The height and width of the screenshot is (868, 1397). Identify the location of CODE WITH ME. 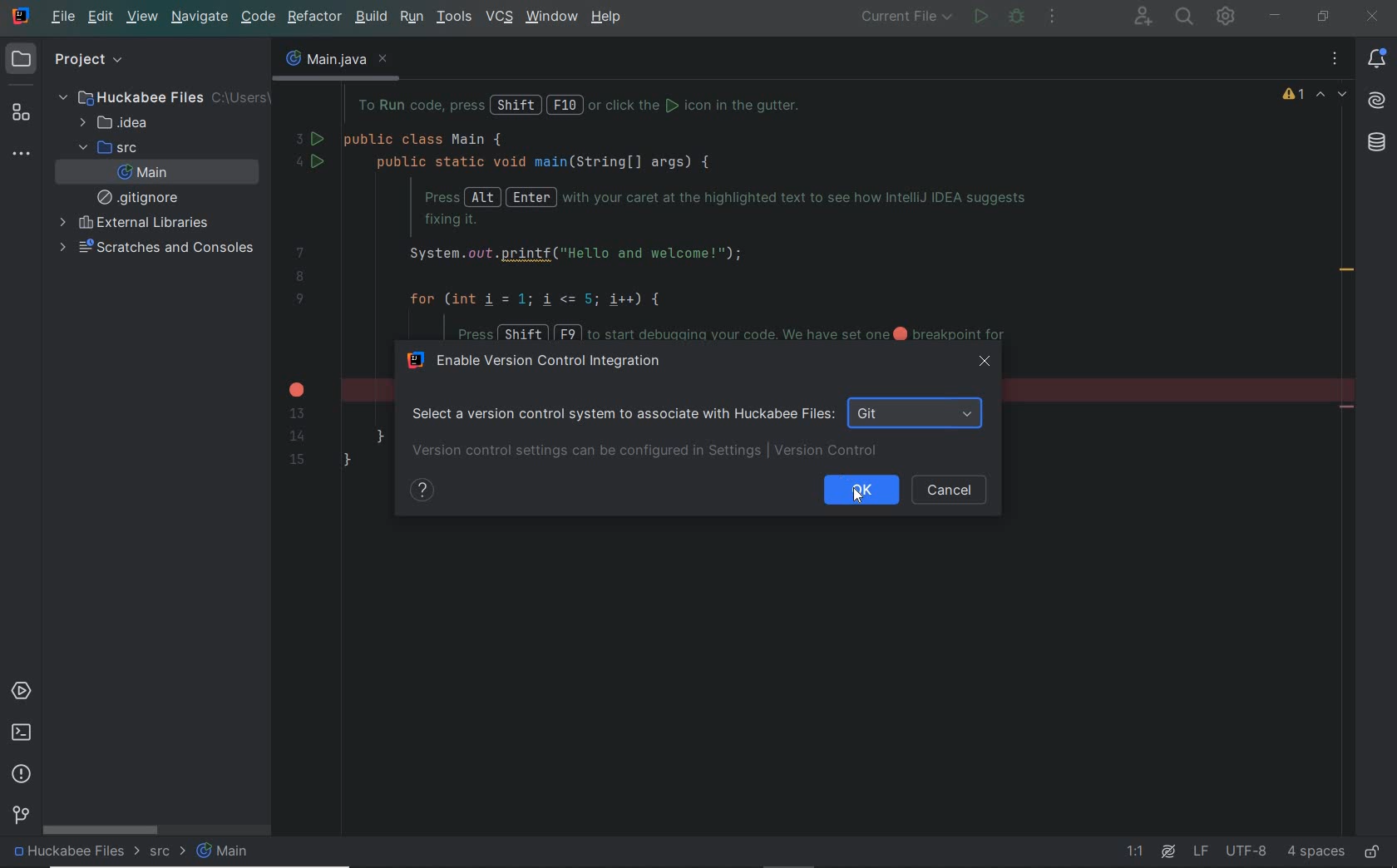
(1143, 16).